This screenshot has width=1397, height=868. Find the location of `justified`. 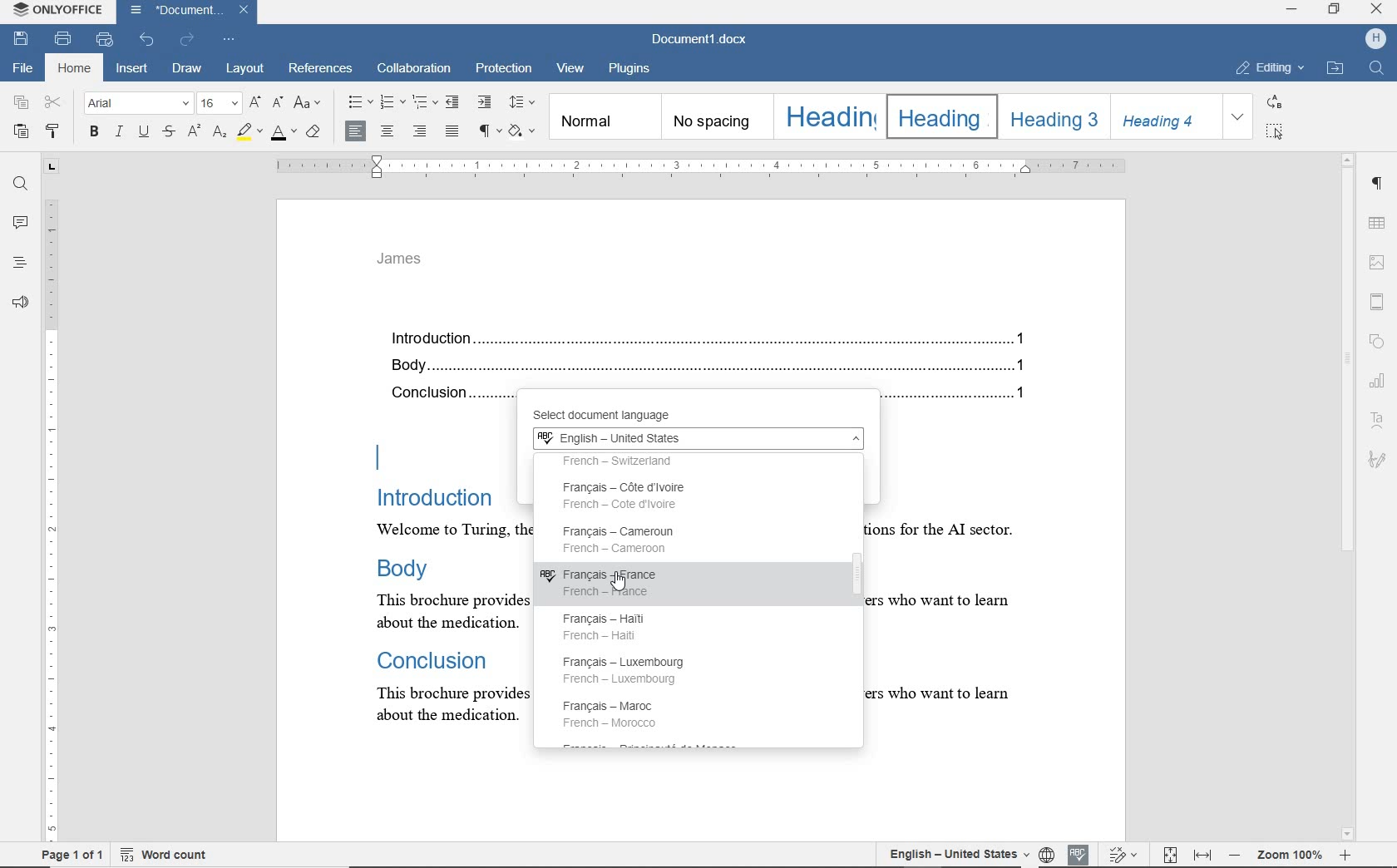

justified is located at coordinates (453, 132).